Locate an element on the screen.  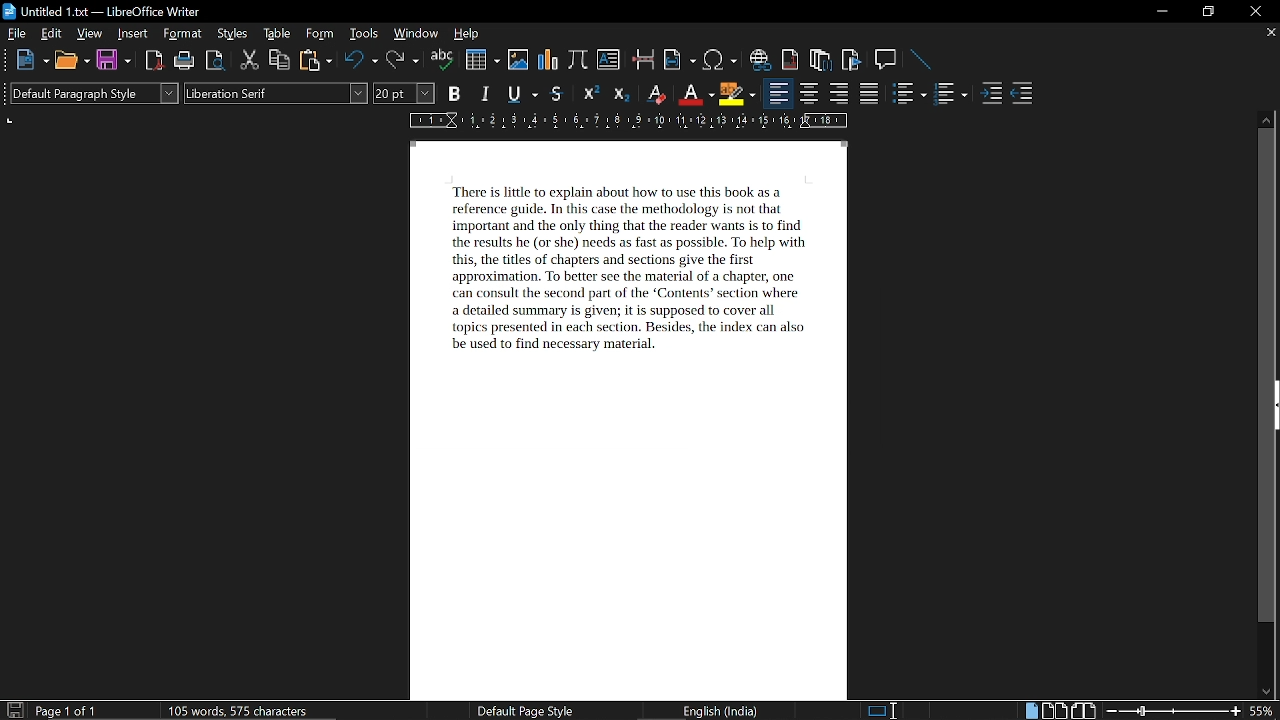
font color is located at coordinates (694, 95).